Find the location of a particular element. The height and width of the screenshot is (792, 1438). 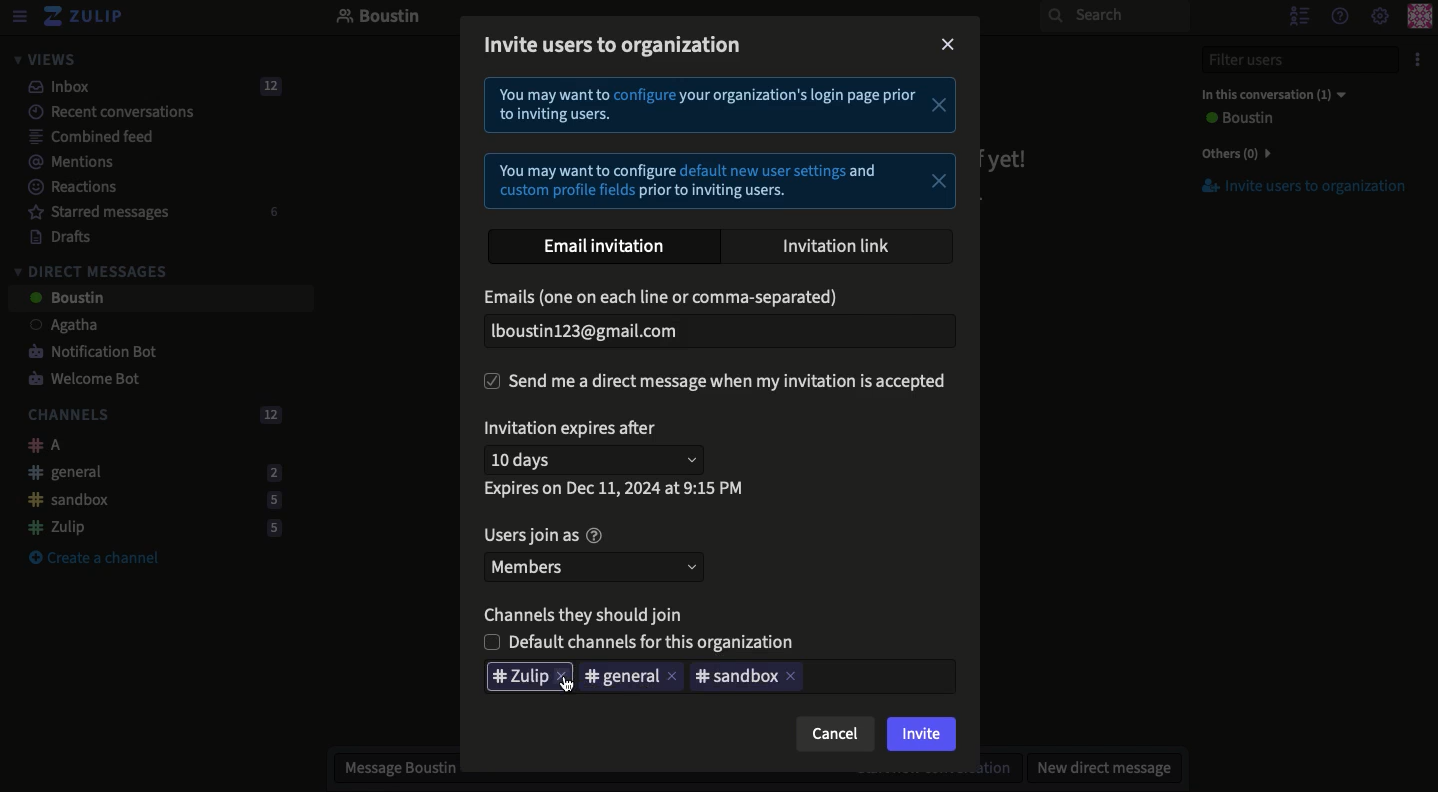

close is located at coordinates (794, 677).